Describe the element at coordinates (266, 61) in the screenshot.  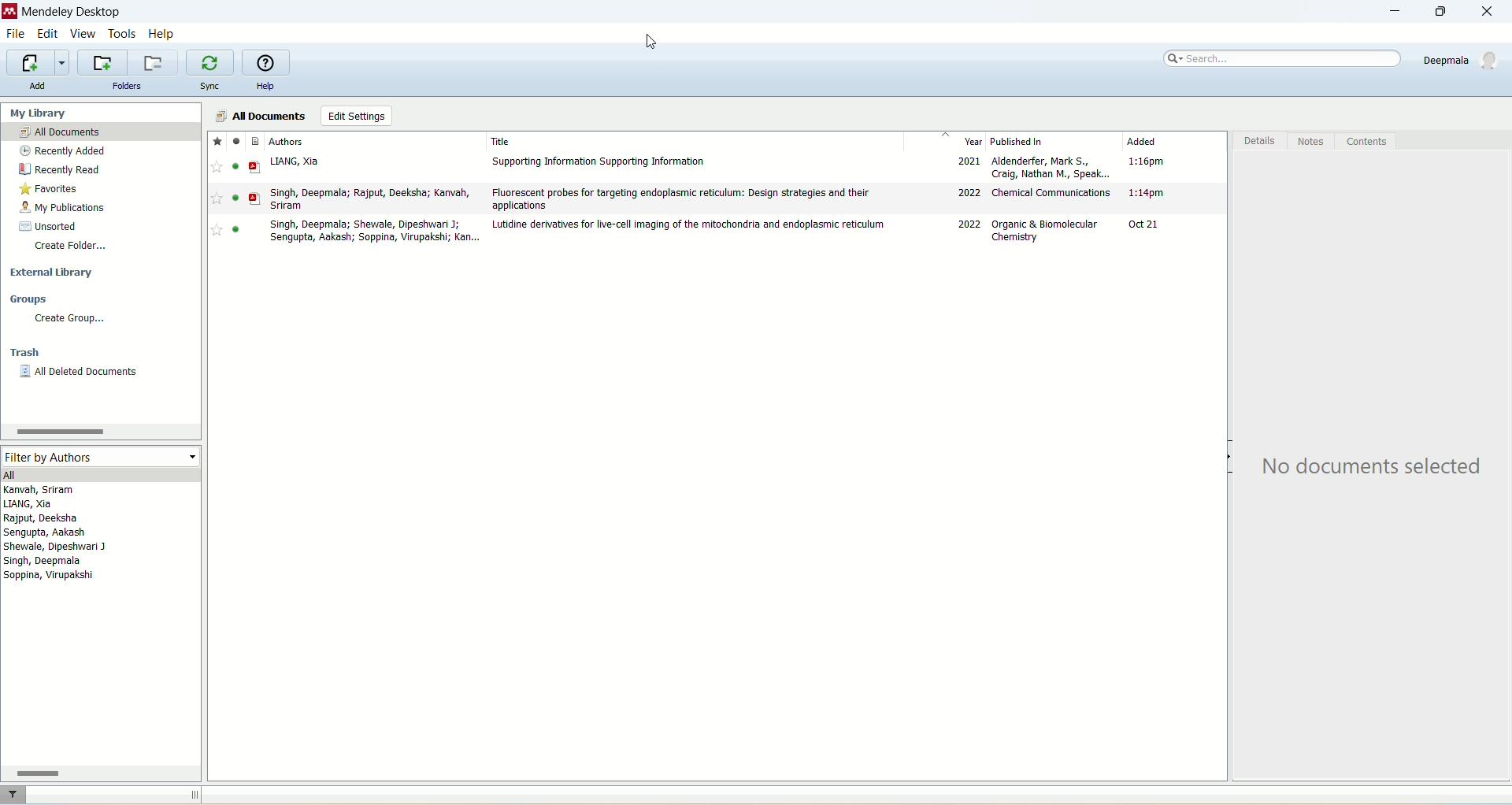
I see `online help guide for mendeley` at that location.